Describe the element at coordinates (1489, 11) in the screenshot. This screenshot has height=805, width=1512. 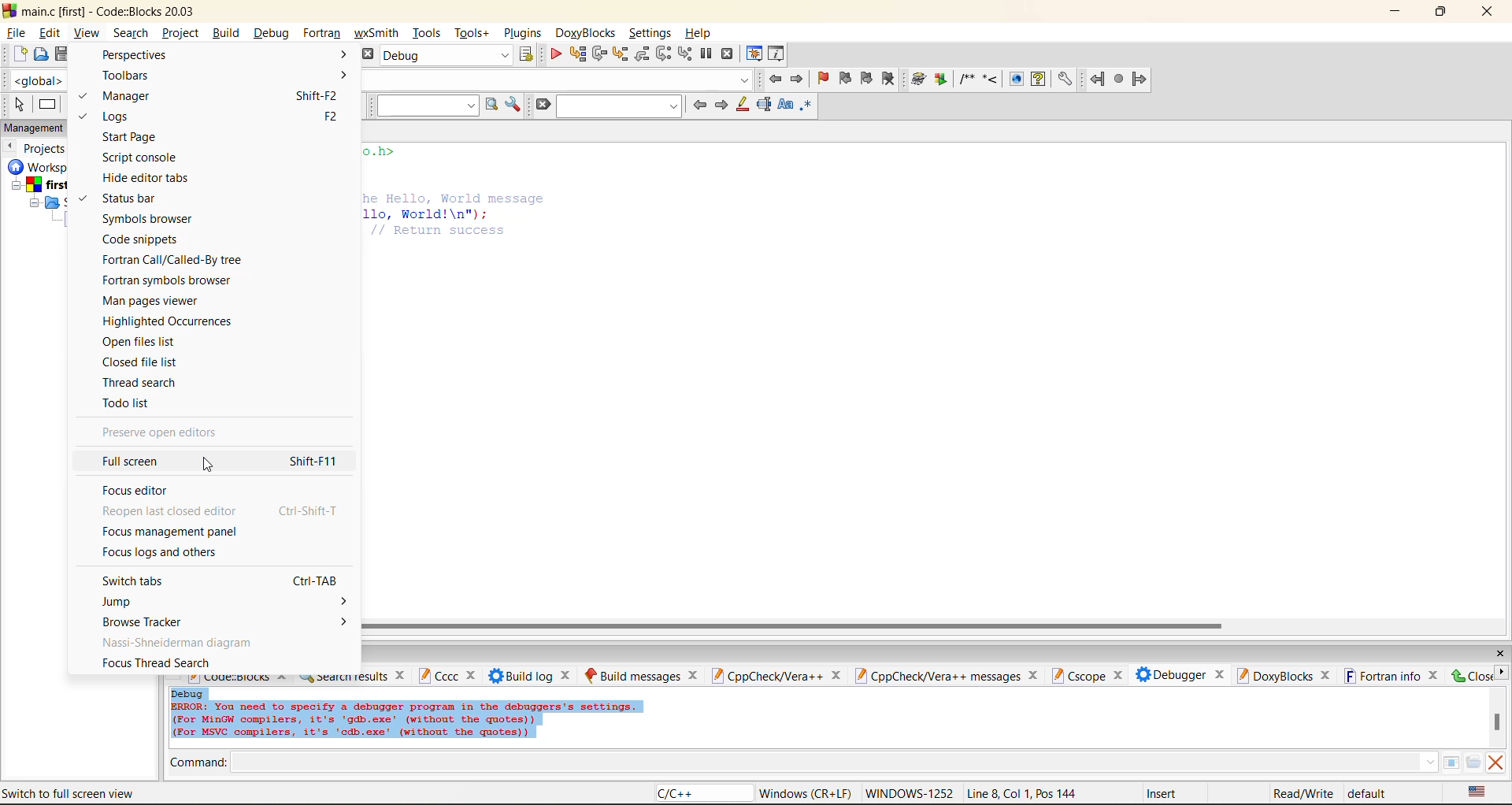
I see `close` at that location.